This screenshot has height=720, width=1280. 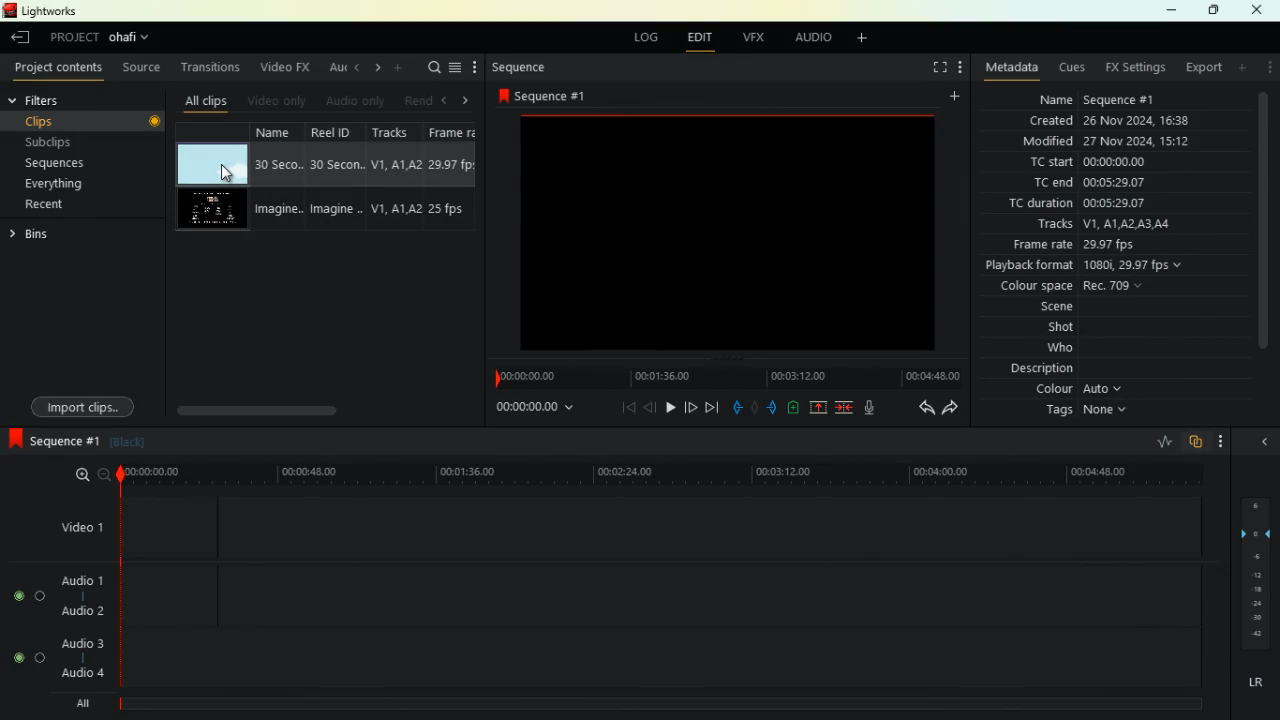 I want to click on shot, so click(x=1066, y=328).